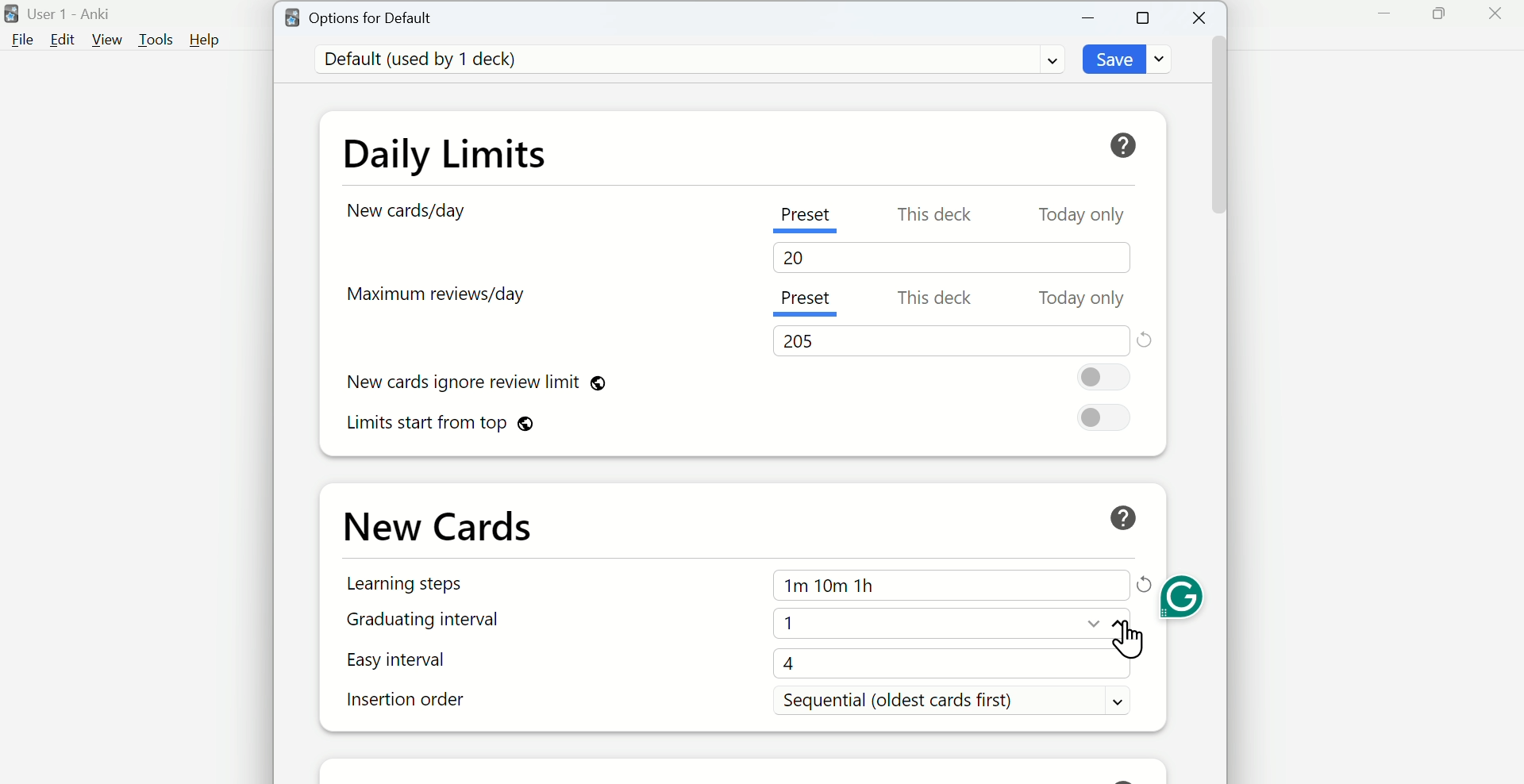 This screenshot has height=784, width=1524. Describe the element at coordinates (1381, 18) in the screenshot. I see `Minimize` at that location.